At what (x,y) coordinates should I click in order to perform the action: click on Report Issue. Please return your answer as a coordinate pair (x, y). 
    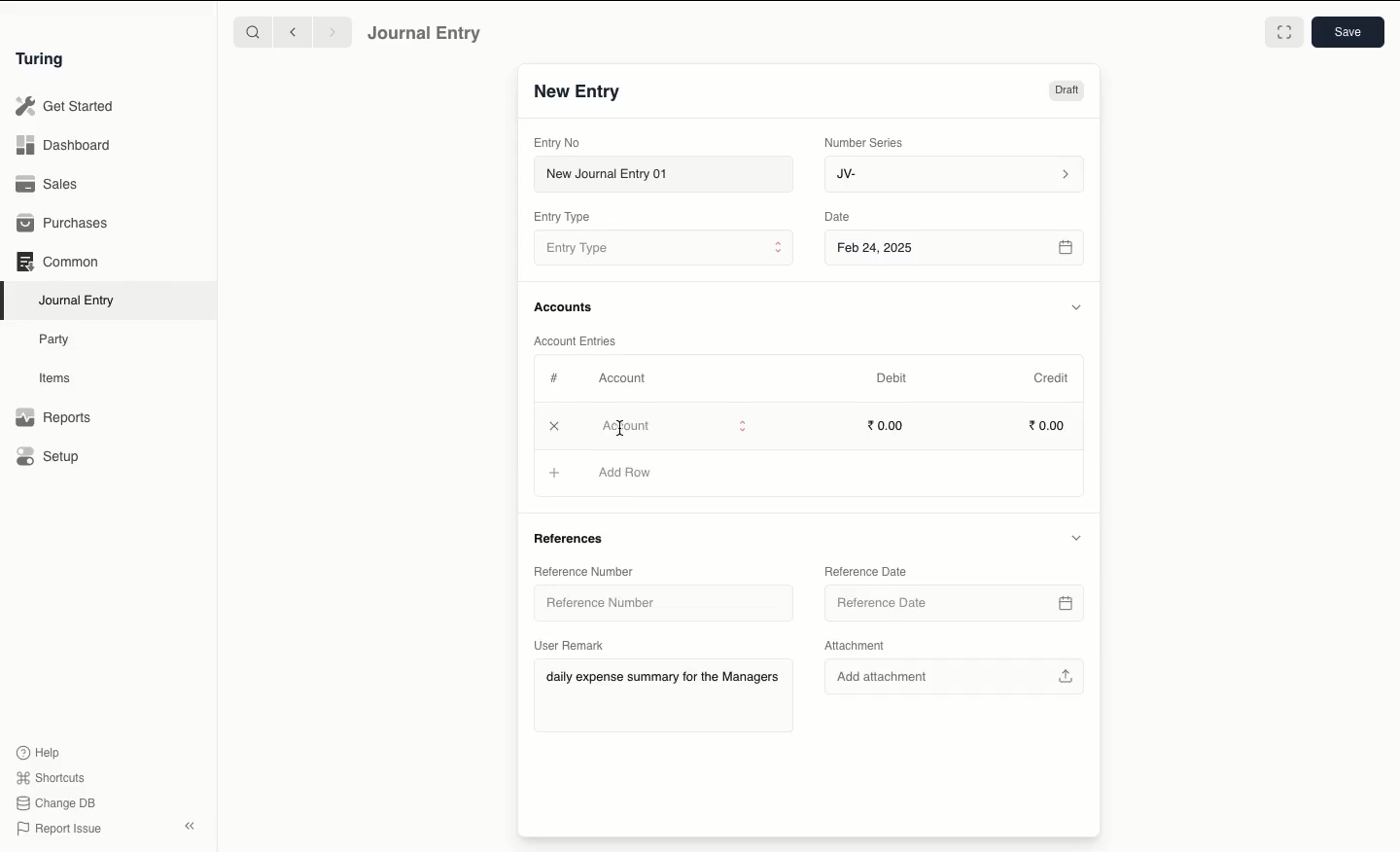
    Looking at the image, I should click on (61, 830).